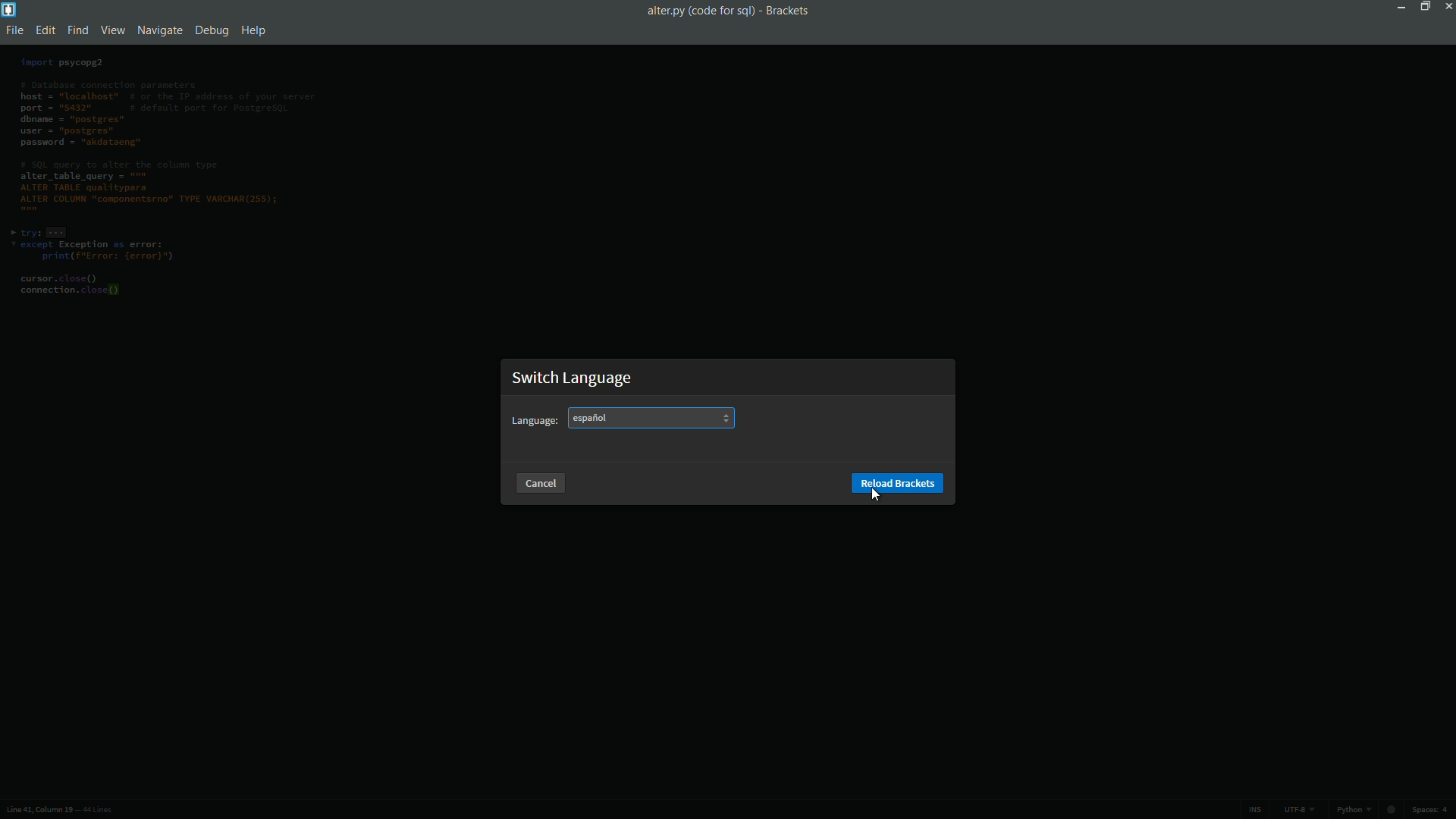  What do you see at coordinates (573, 379) in the screenshot?
I see `Switch language` at bounding box center [573, 379].